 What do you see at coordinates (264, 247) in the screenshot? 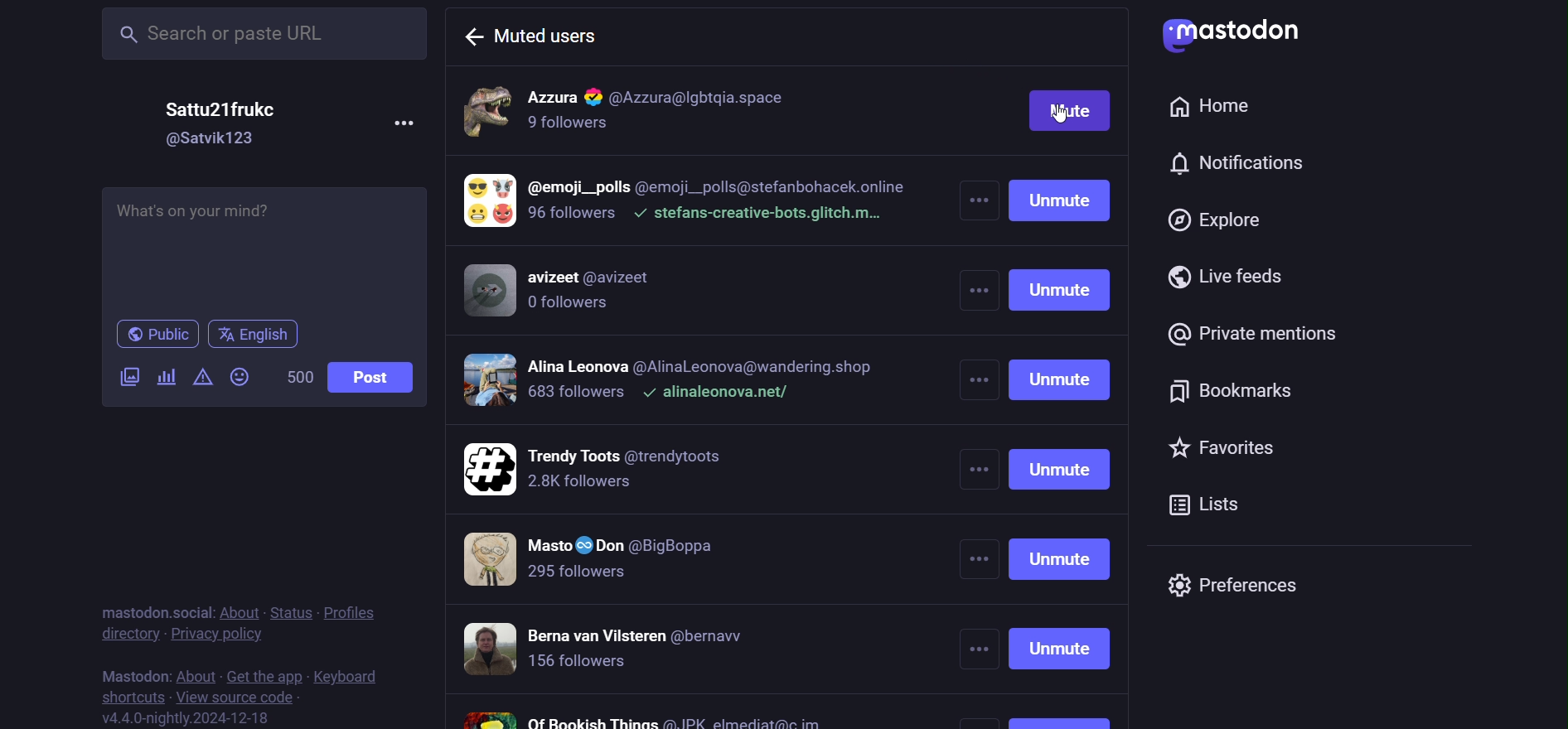
I see `post here` at bounding box center [264, 247].